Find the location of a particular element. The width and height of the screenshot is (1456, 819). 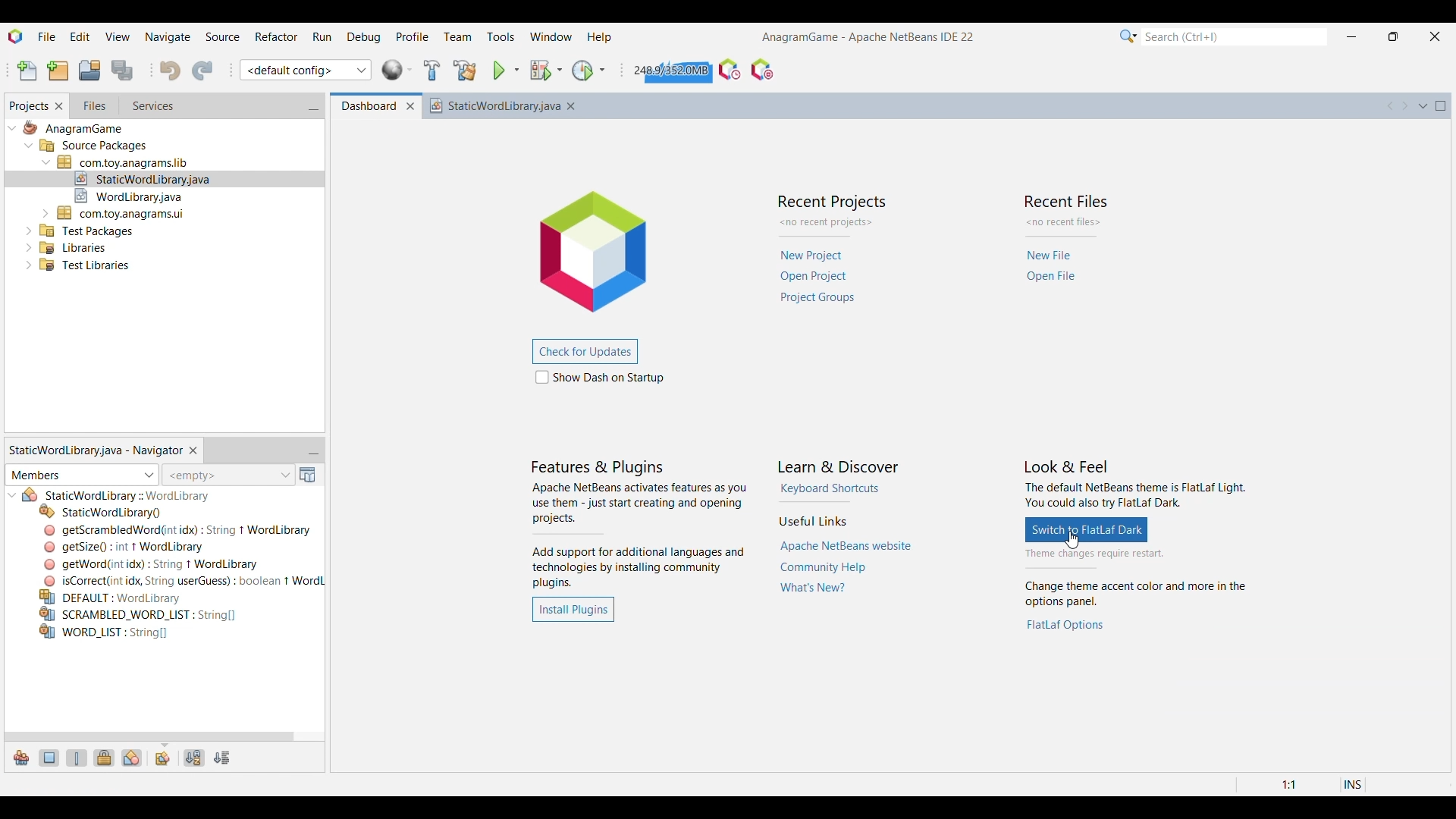

Horizontal slide bar is located at coordinates (149, 737).